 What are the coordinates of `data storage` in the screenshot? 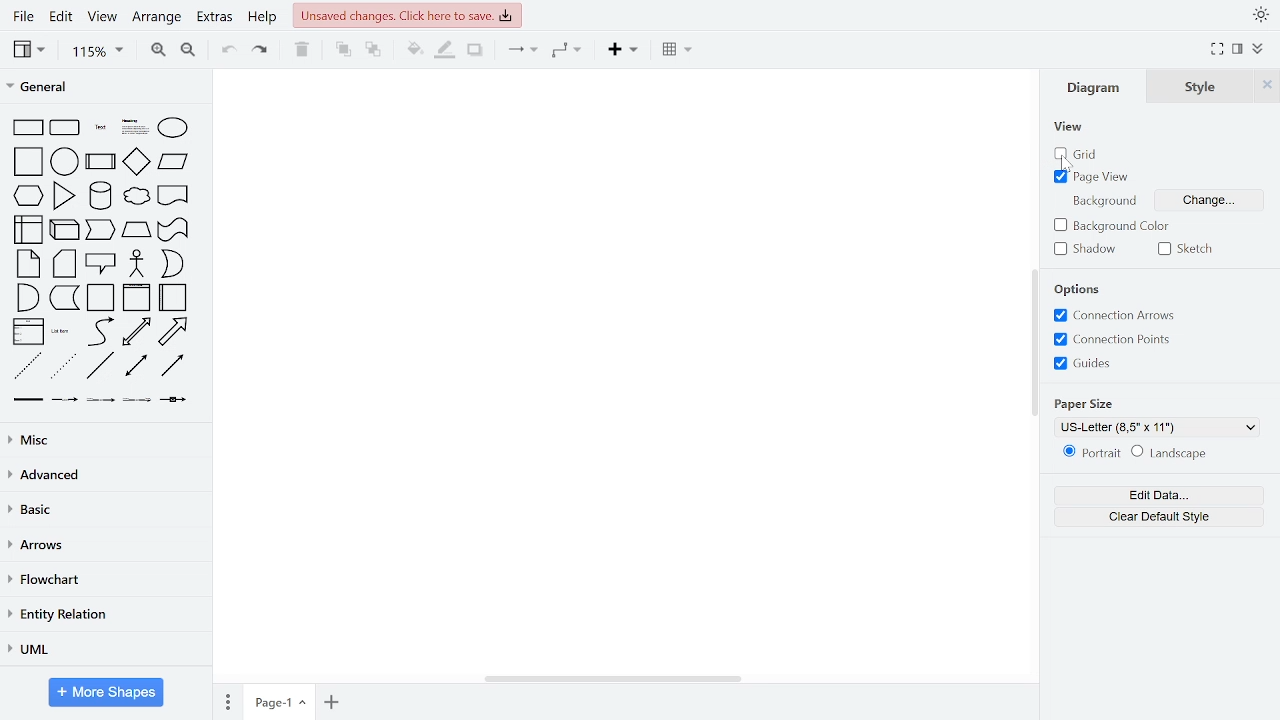 It's located at (64, 298).